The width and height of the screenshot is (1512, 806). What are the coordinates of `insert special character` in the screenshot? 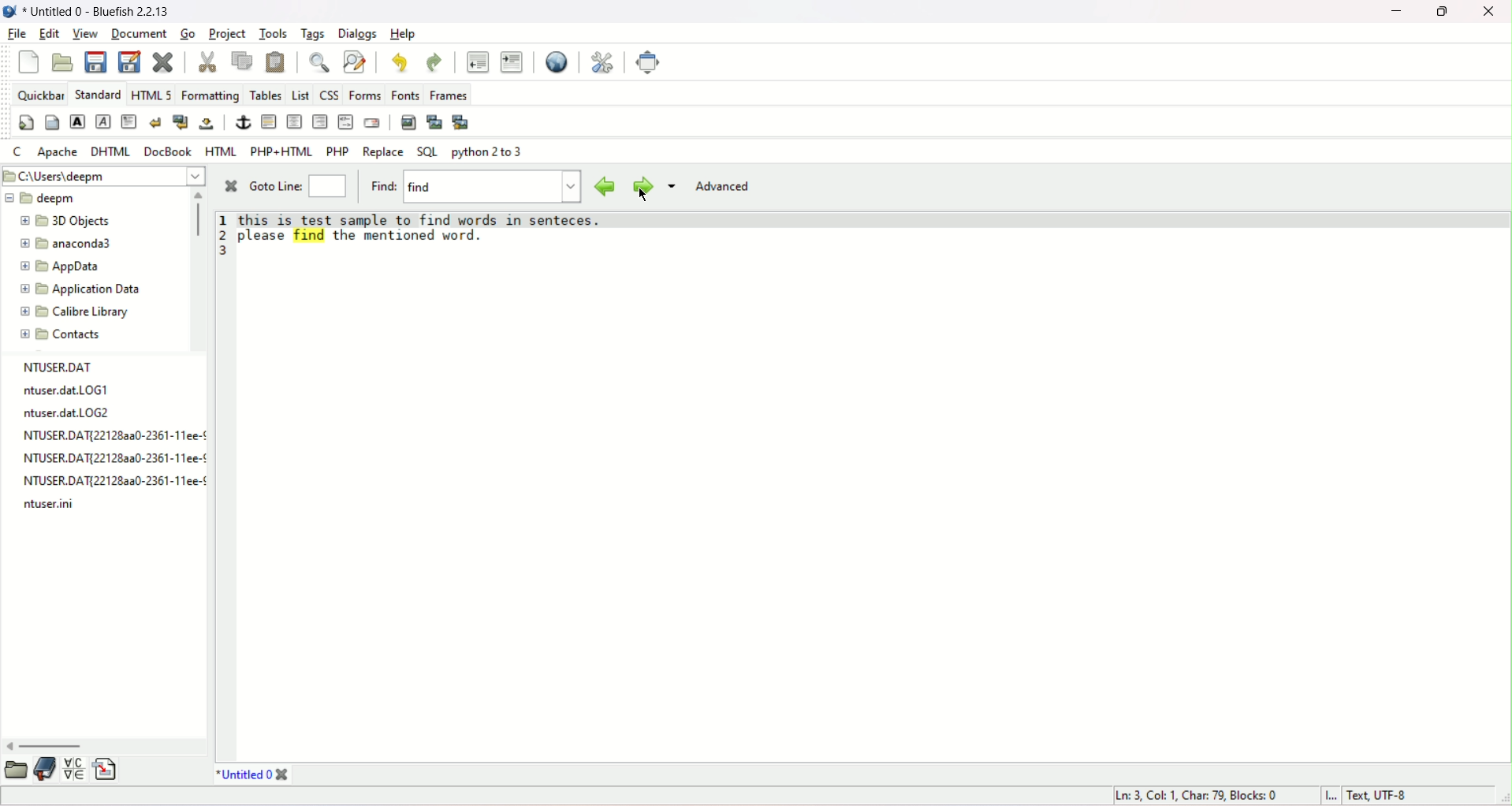 It's located at (73, 769).